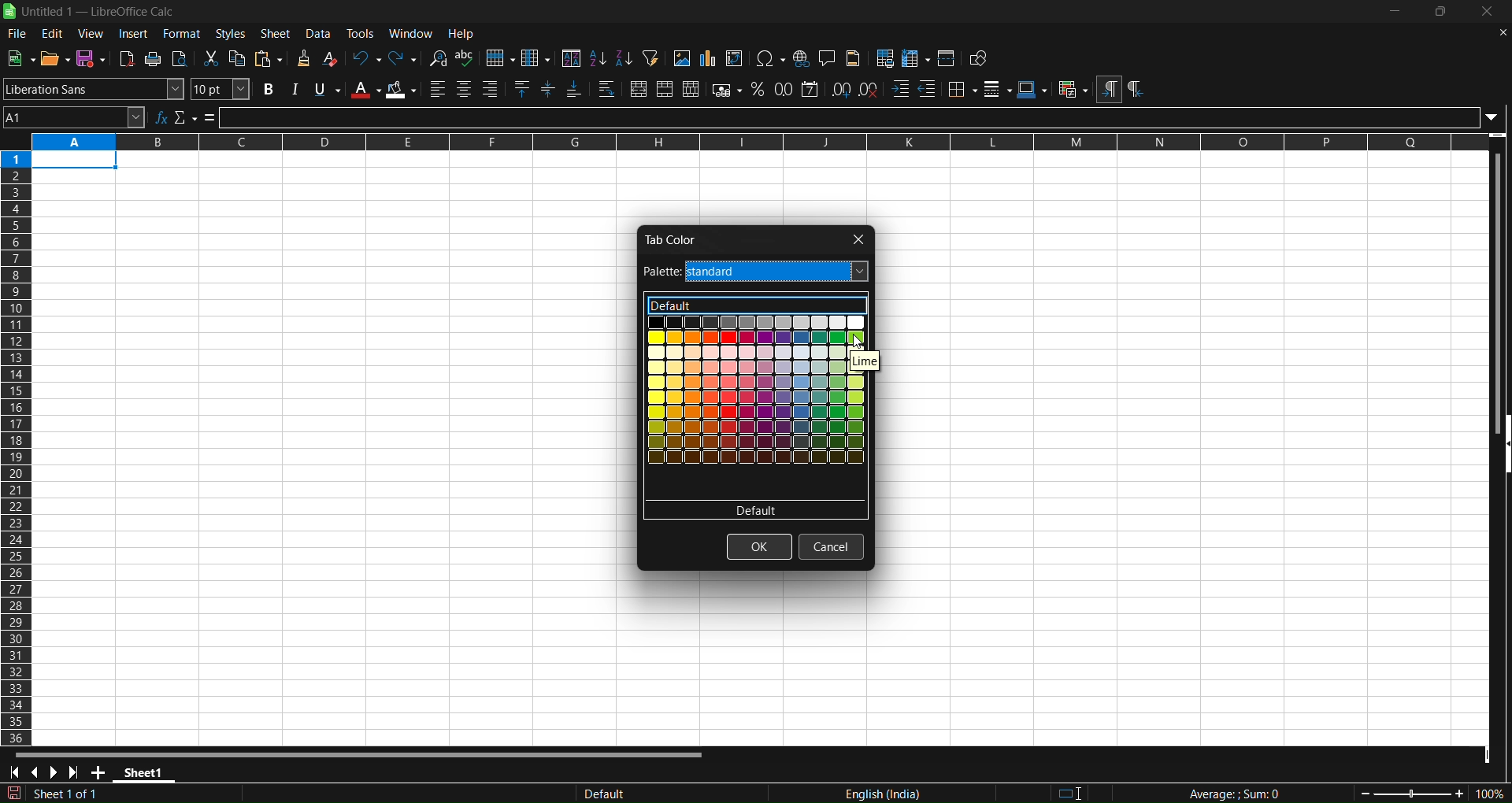 The image size is (1512, 803). Describe the element at coordinates (182, 33) in the screenshot. I see `format` at that location.